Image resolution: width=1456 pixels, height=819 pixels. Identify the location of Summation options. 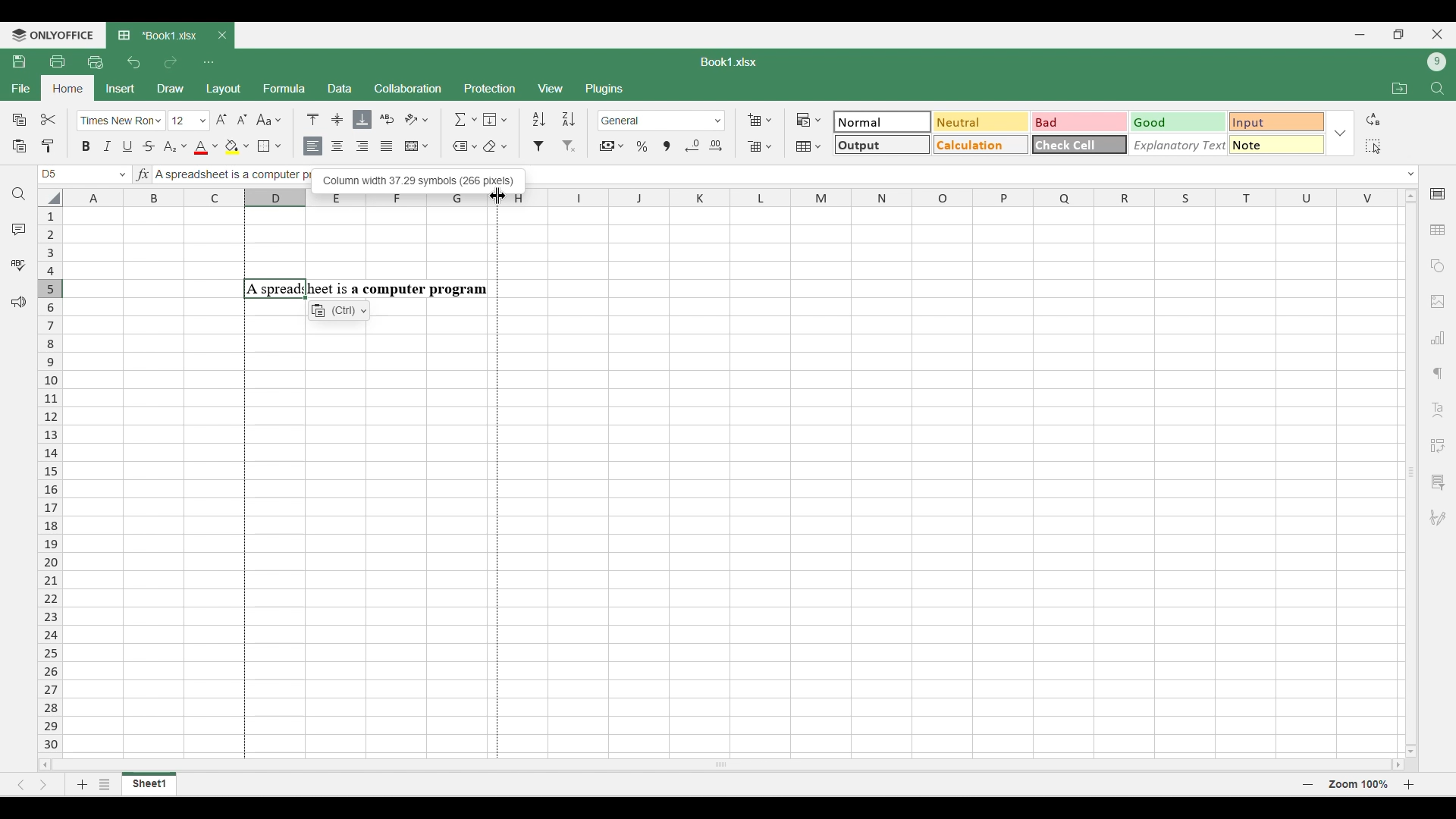
(466, 119).